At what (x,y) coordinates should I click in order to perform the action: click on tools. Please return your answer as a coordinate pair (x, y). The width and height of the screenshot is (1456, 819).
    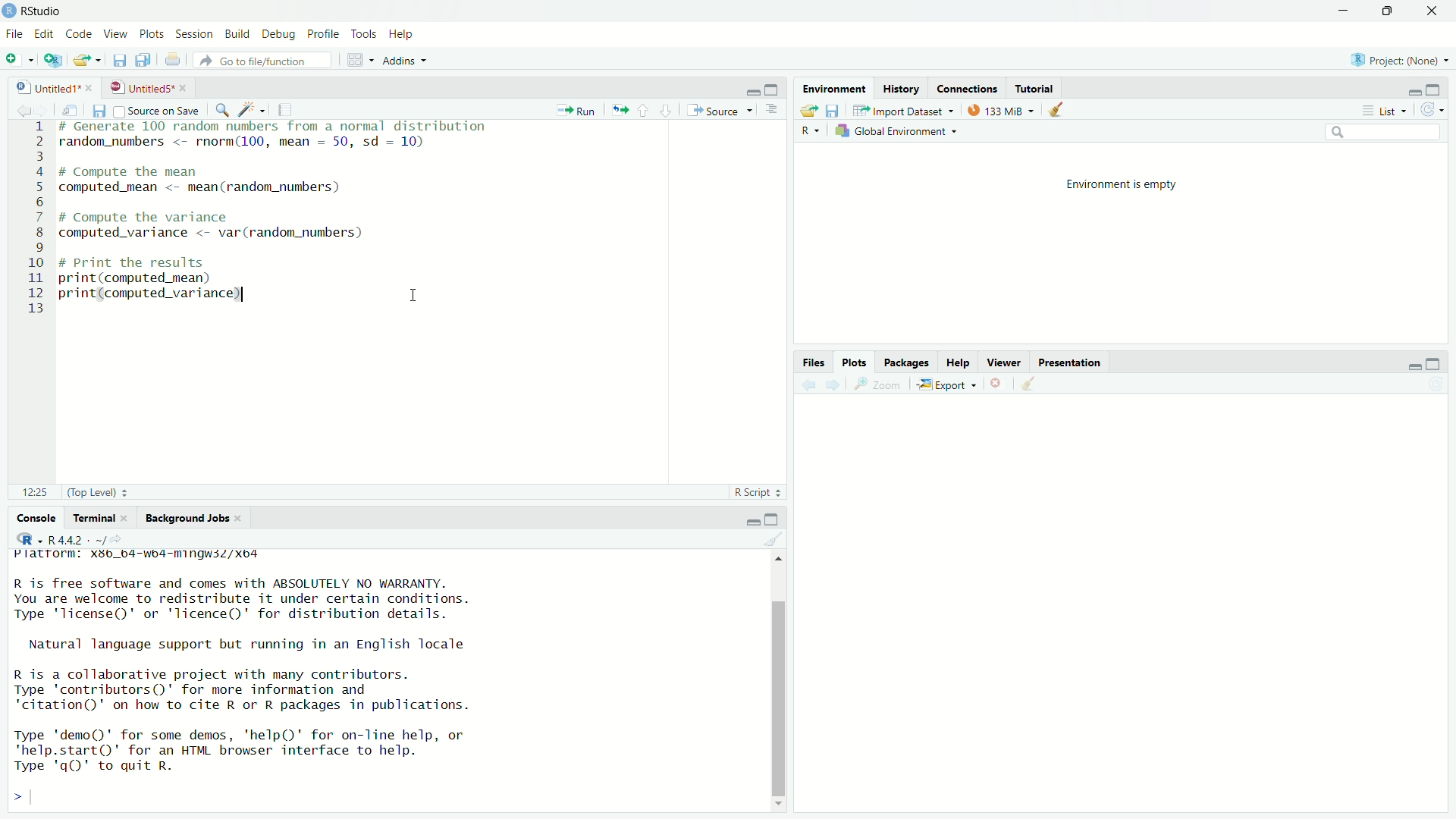
    Looking at the image, I should click on (364, 32).